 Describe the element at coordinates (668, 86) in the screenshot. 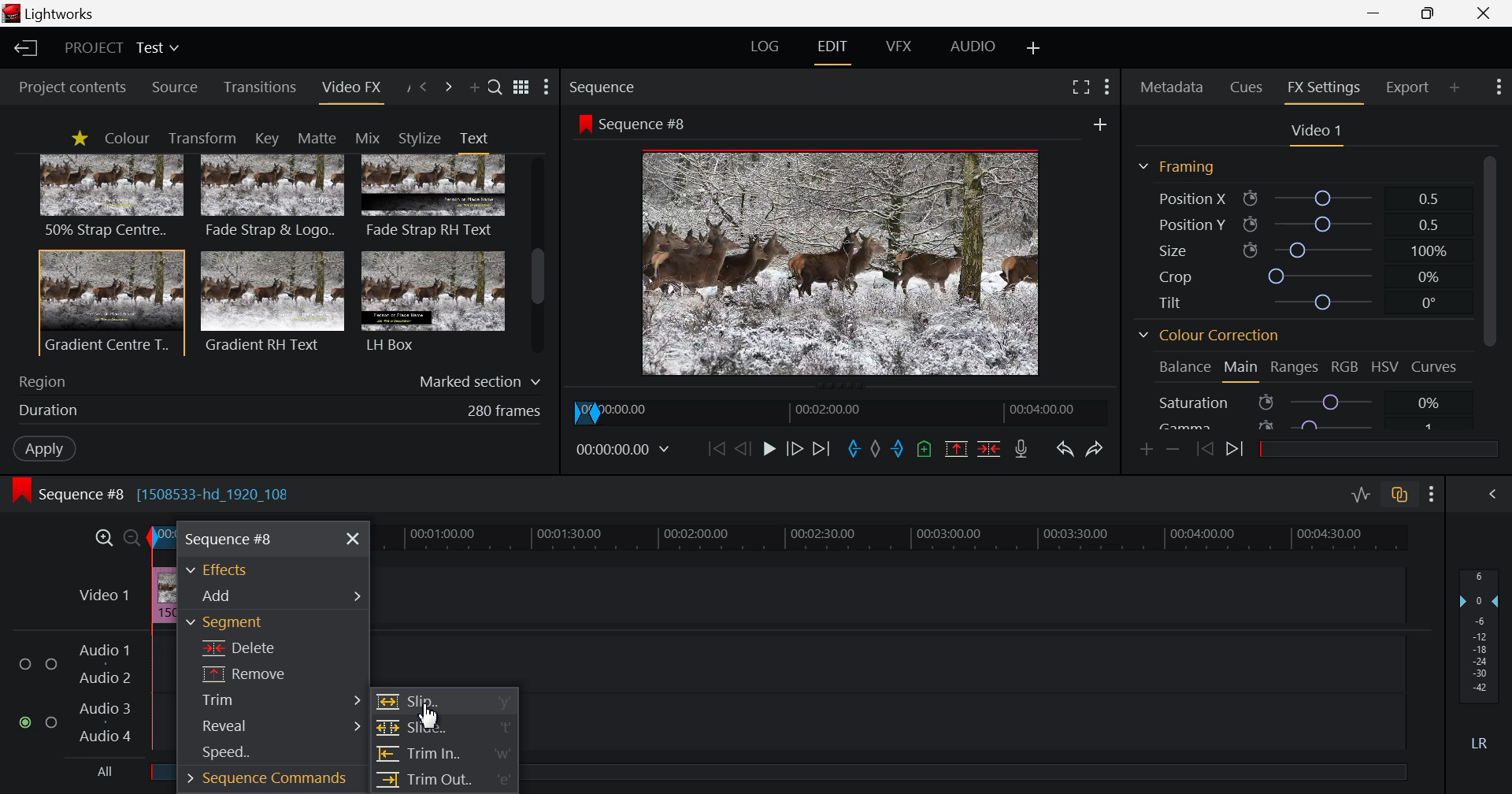

I see `Sequence Section Heading ` at that location.